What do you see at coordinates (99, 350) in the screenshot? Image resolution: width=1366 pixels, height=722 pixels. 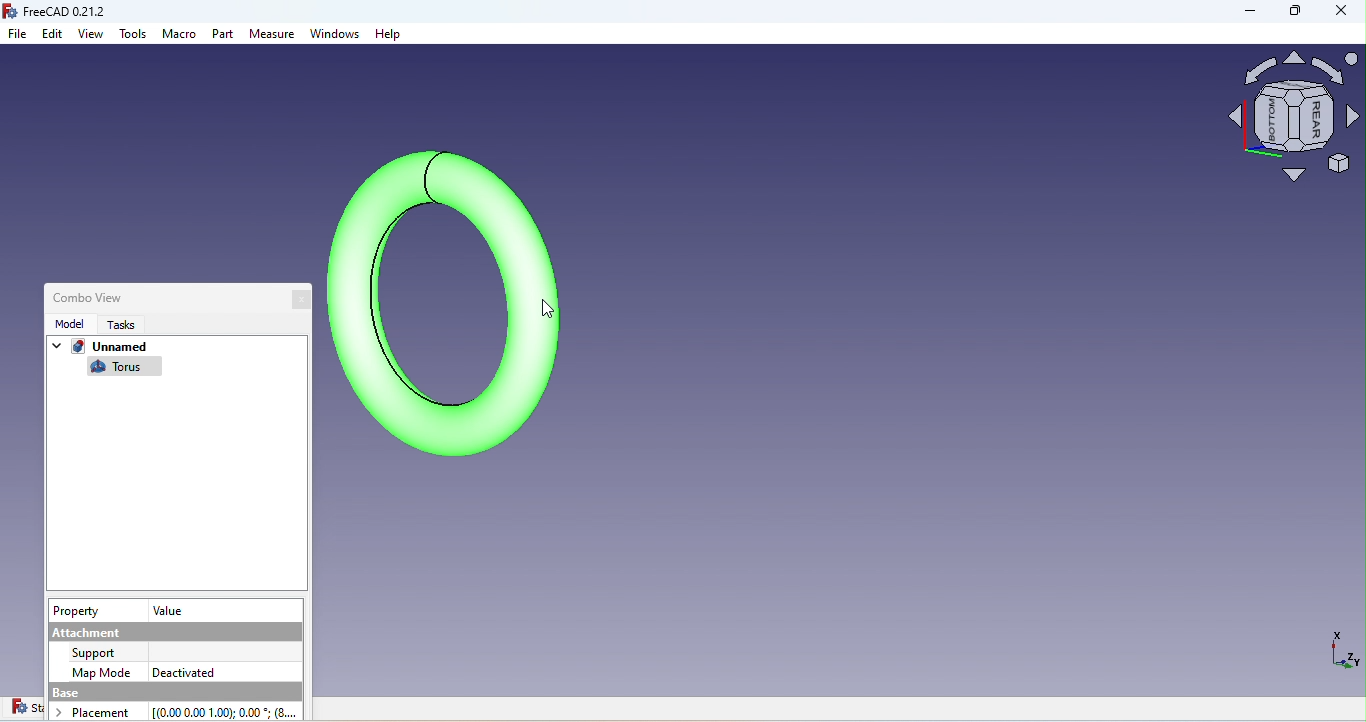 I see `Unnamed` at bounding box center [99, 350].